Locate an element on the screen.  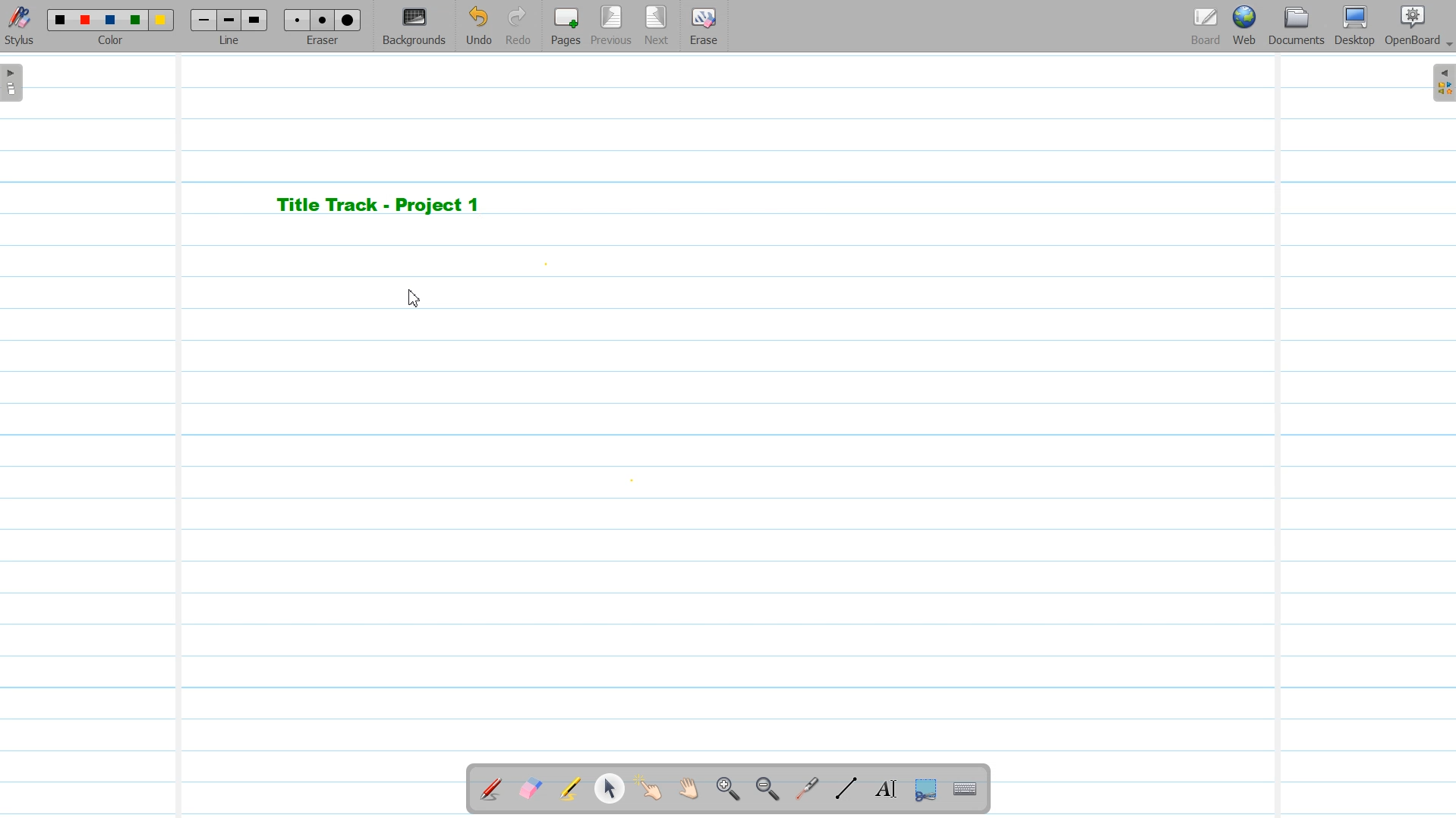
Desktop is located at coordinates (1354, 27).